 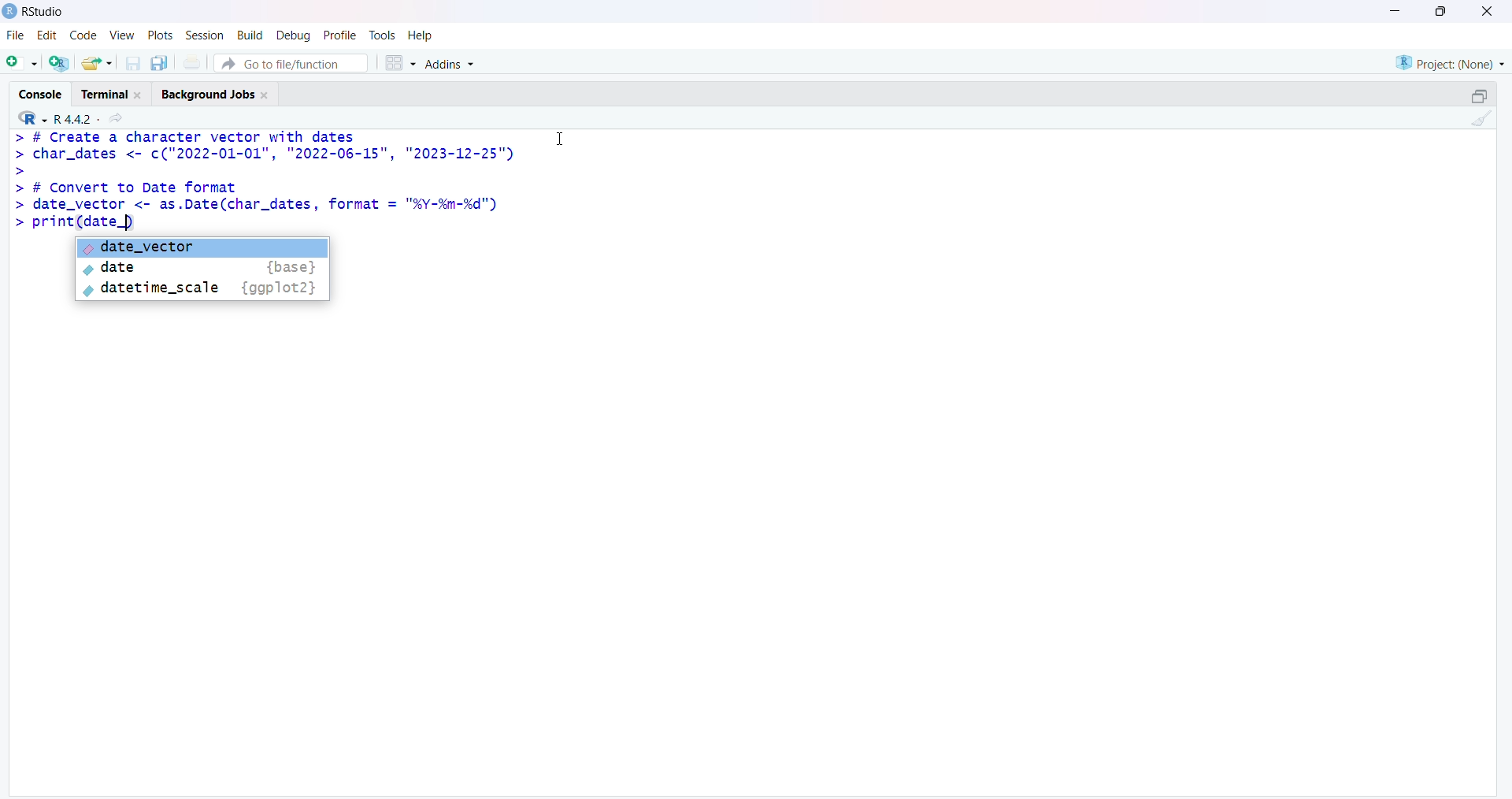 I want to click on New File, so click(x=22, y=61).